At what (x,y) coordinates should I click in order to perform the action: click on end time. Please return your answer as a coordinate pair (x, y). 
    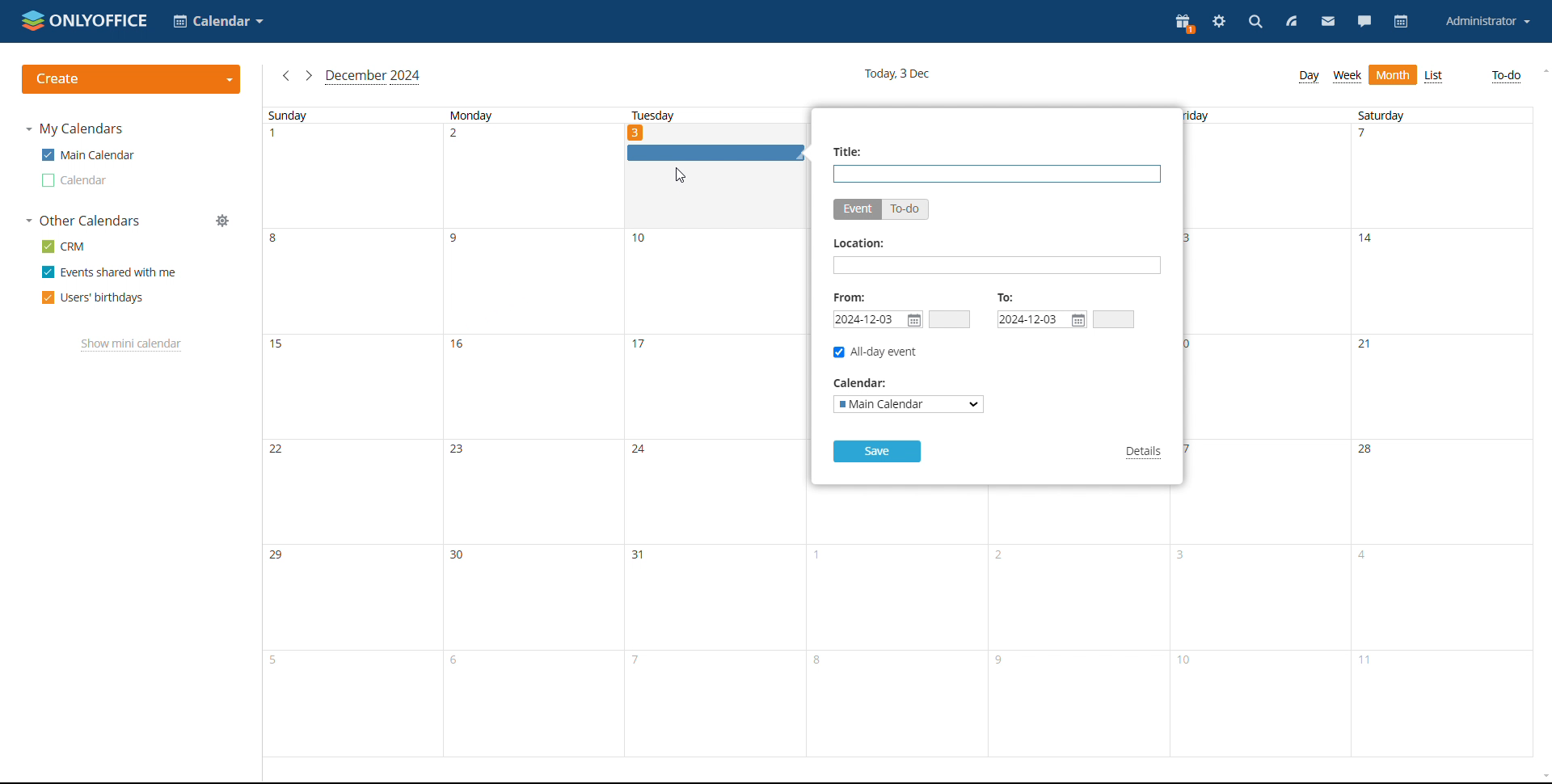
    Looking at the image, I should click on (1113, 319).